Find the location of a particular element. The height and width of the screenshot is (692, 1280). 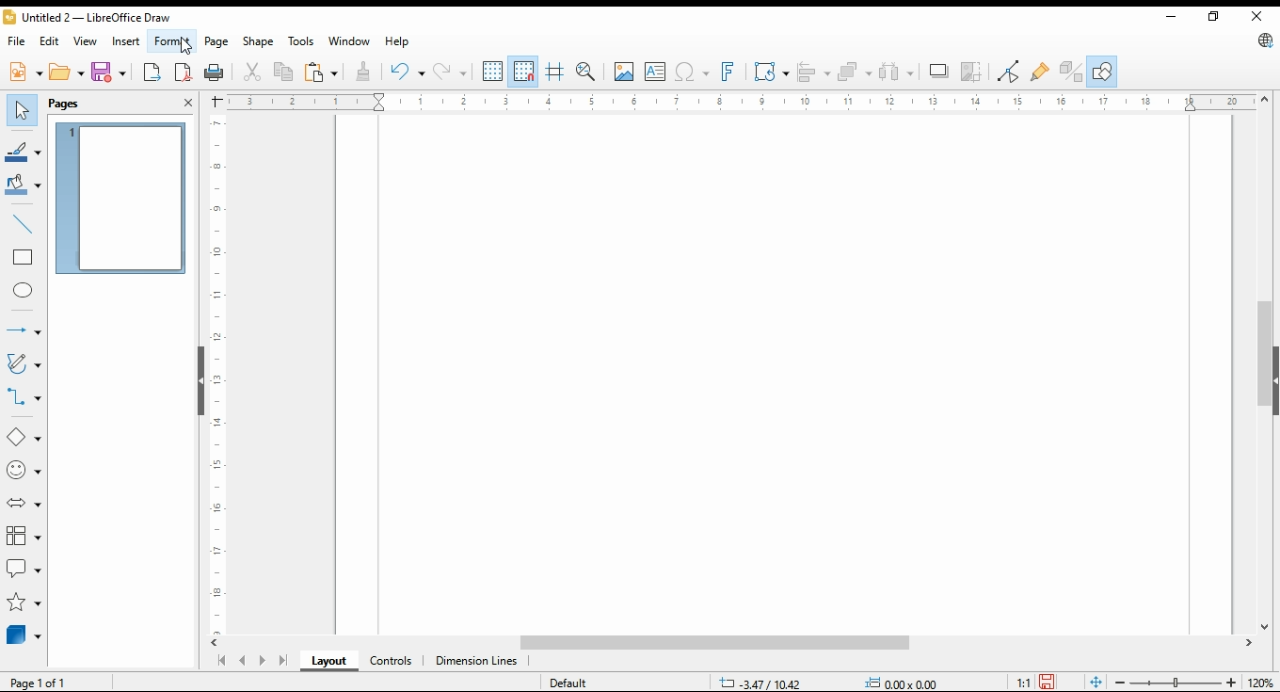

block arrows is located at coordinates (26, 503).